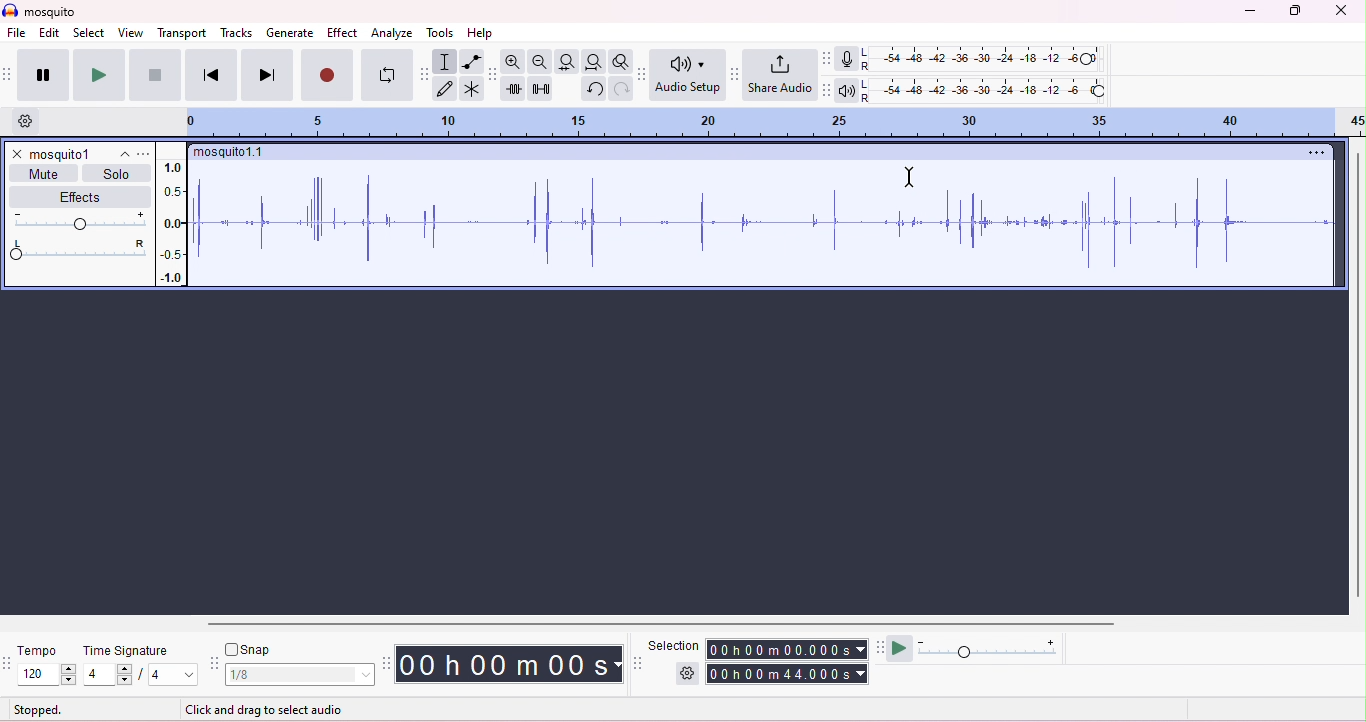  What do you see at coordinates (826, 90) in the screenshot?
I see `audio set up tool bar` at bounding box center [826, 90].